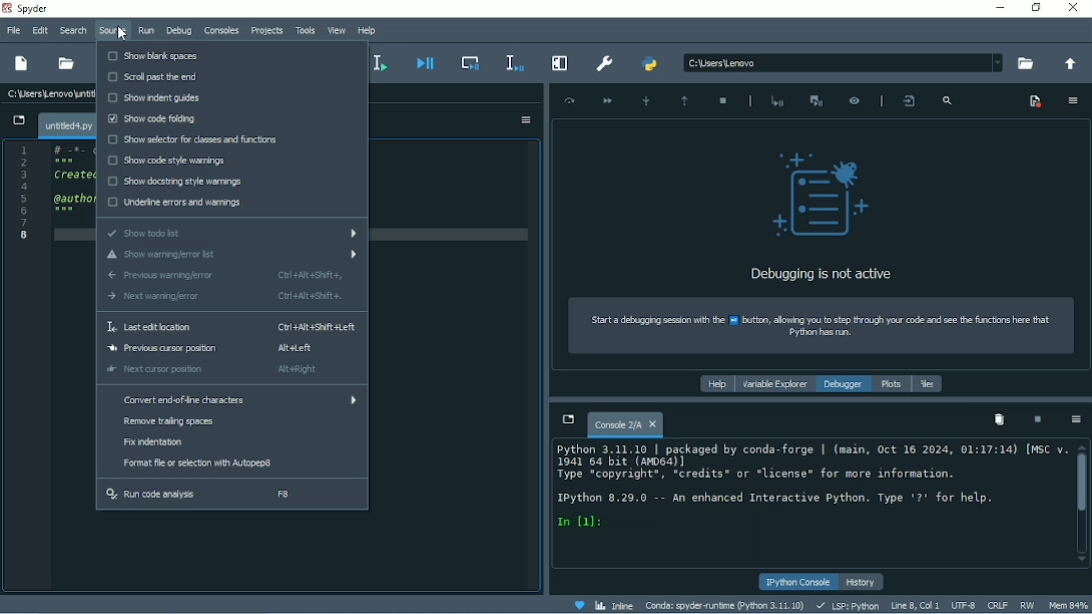 This screenshot has height=614, width=1092. I want to click on Run selection or current file, so click(384, 64).